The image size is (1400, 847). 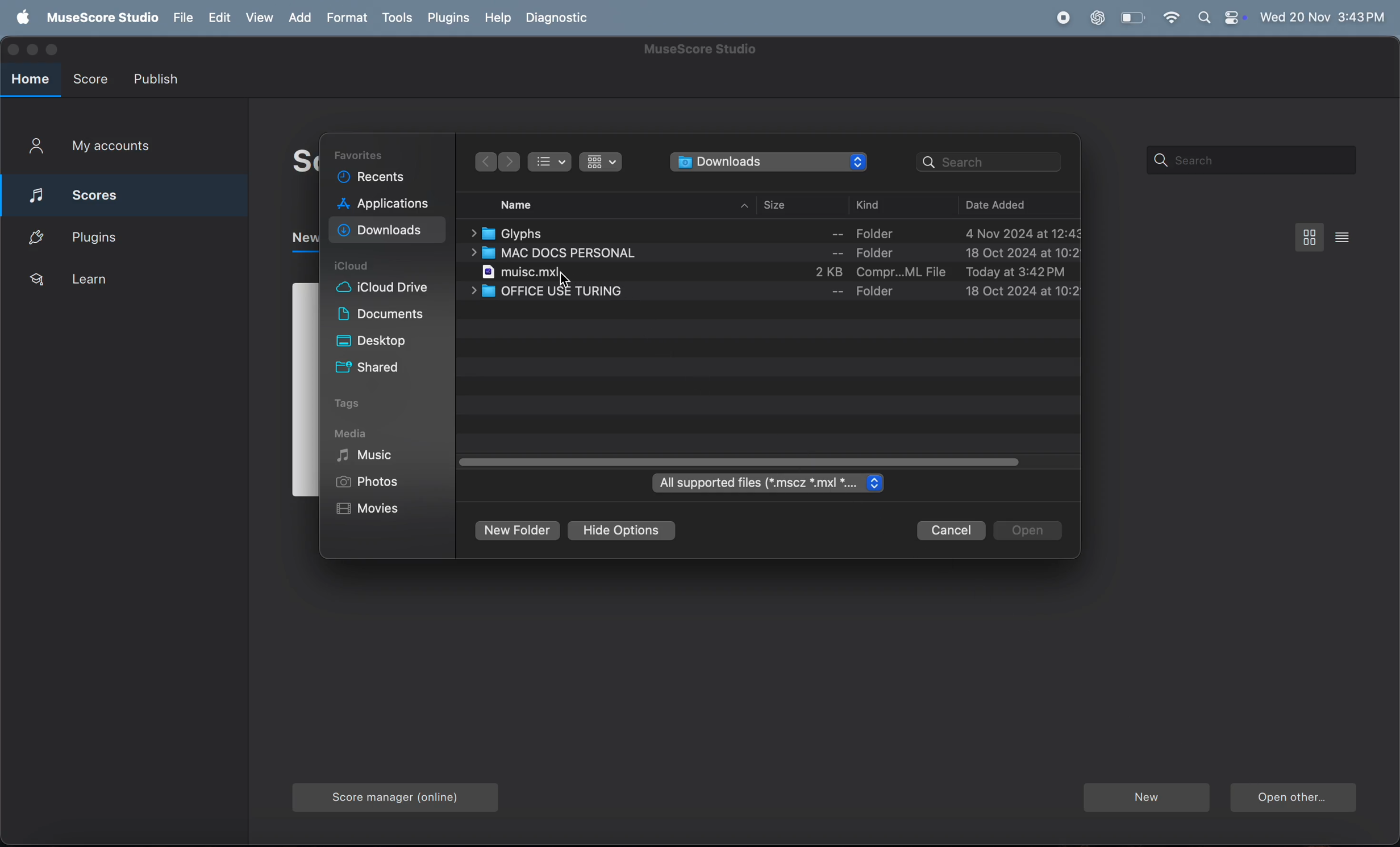 I want to click on musescore title, so click(x=699, y=51).